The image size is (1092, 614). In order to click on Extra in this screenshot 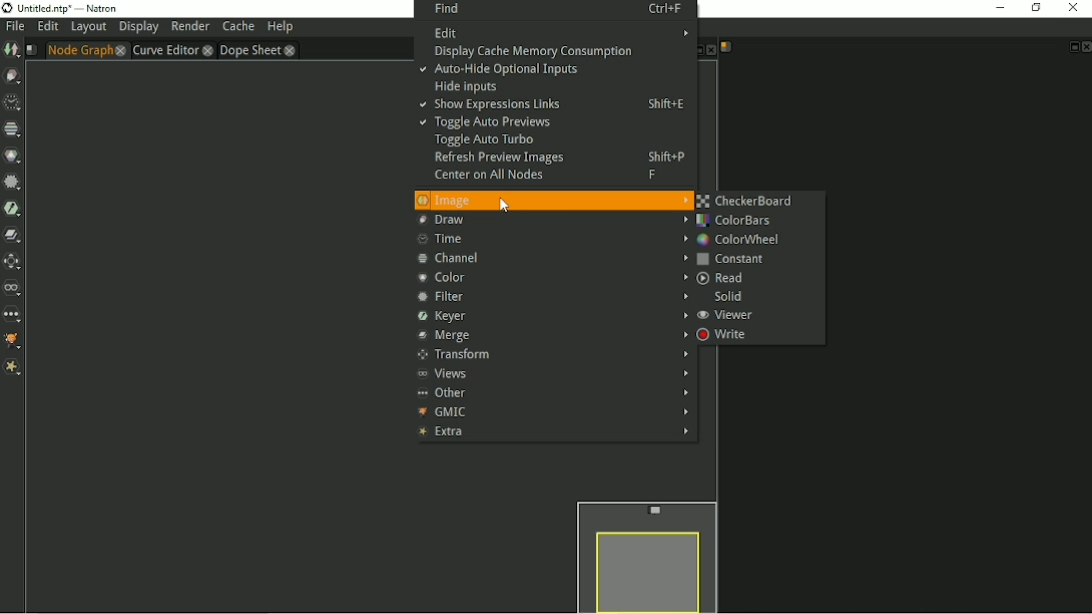, I will do `click(553, 433)`.